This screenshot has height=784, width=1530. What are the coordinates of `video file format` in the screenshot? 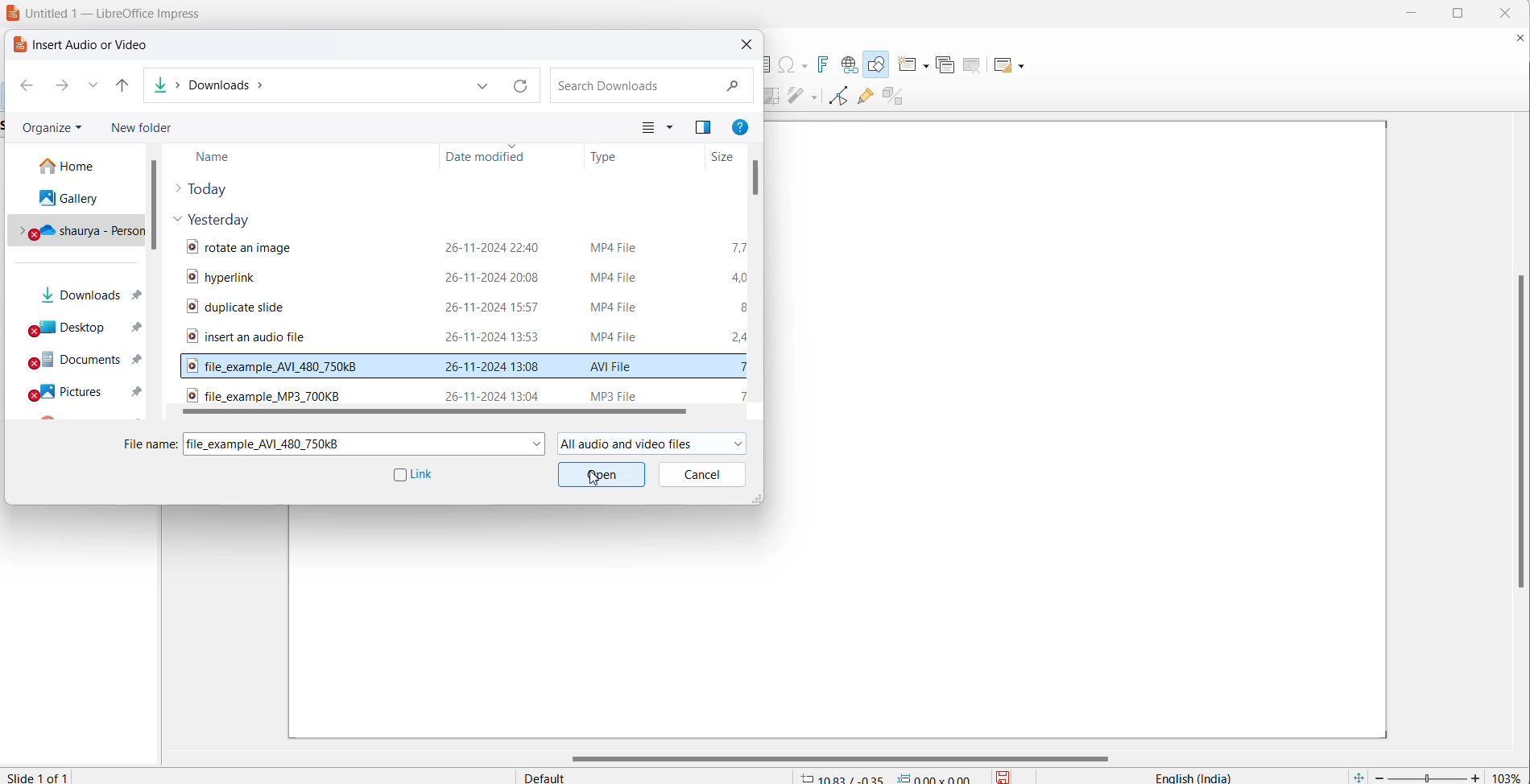 It's located at (614, 291).